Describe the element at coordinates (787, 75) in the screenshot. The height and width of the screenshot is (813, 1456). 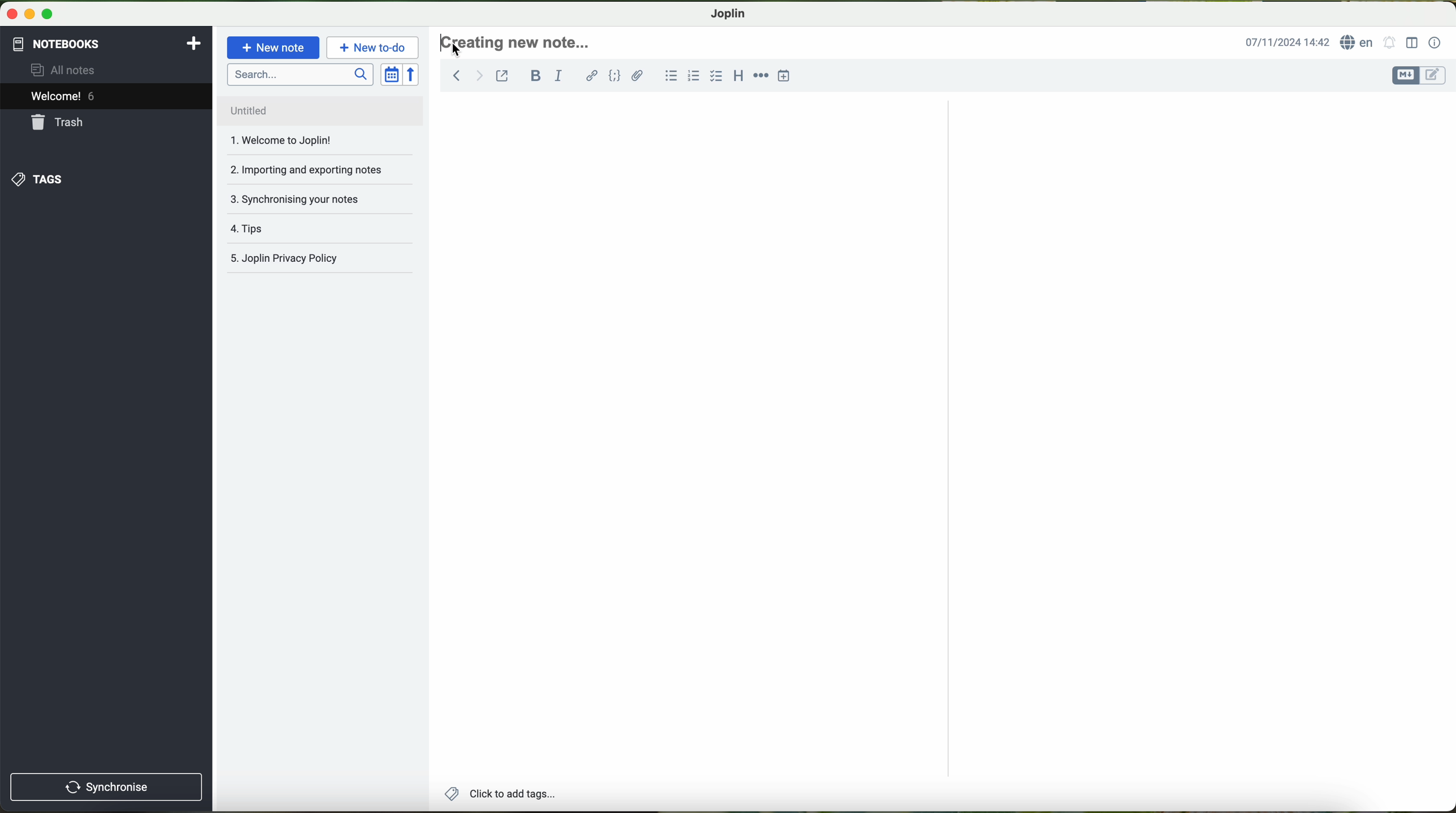
I see `insert time` at that location.